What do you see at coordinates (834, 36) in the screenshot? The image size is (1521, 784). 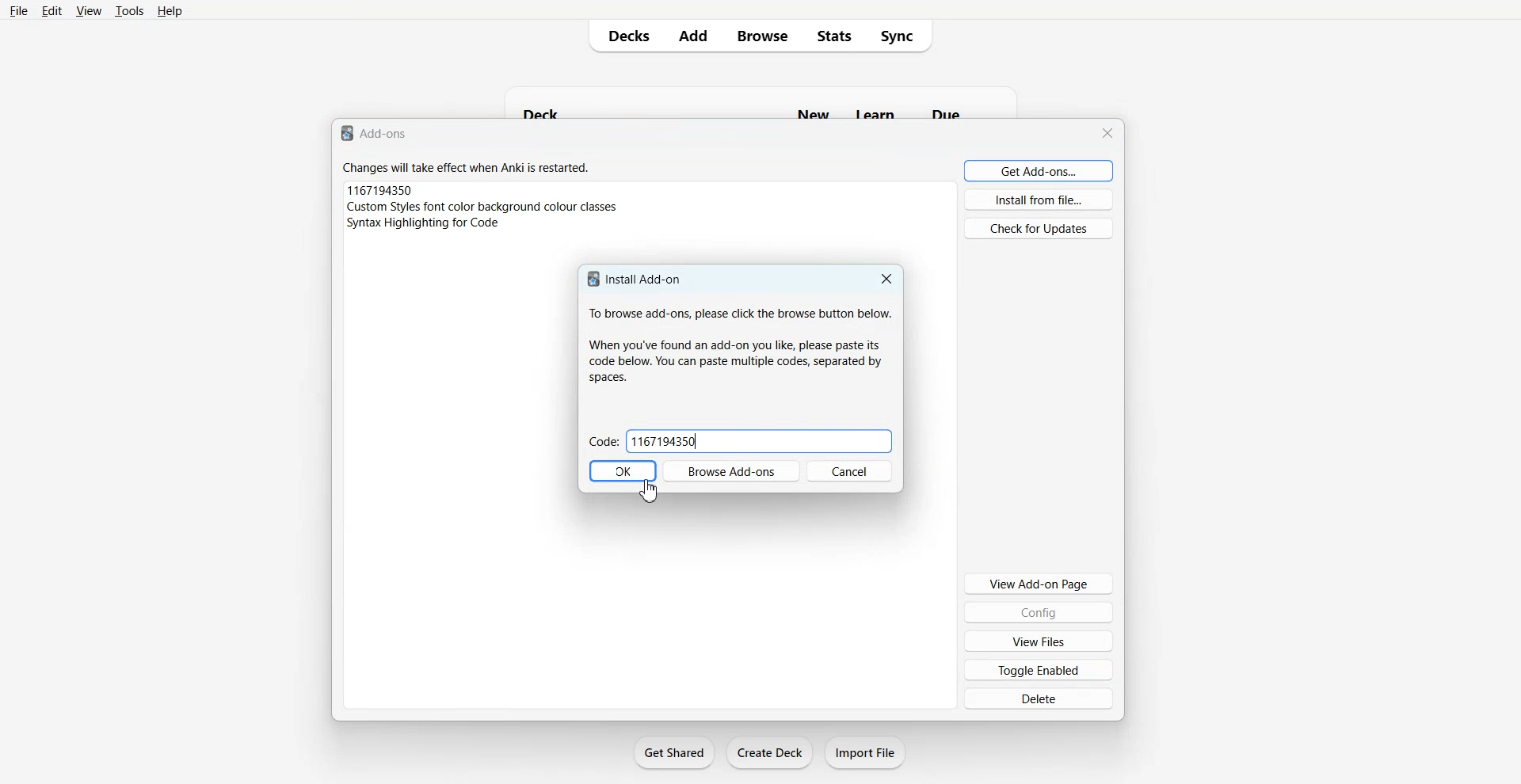 I see `Stats` at bounding box center [834, 36].